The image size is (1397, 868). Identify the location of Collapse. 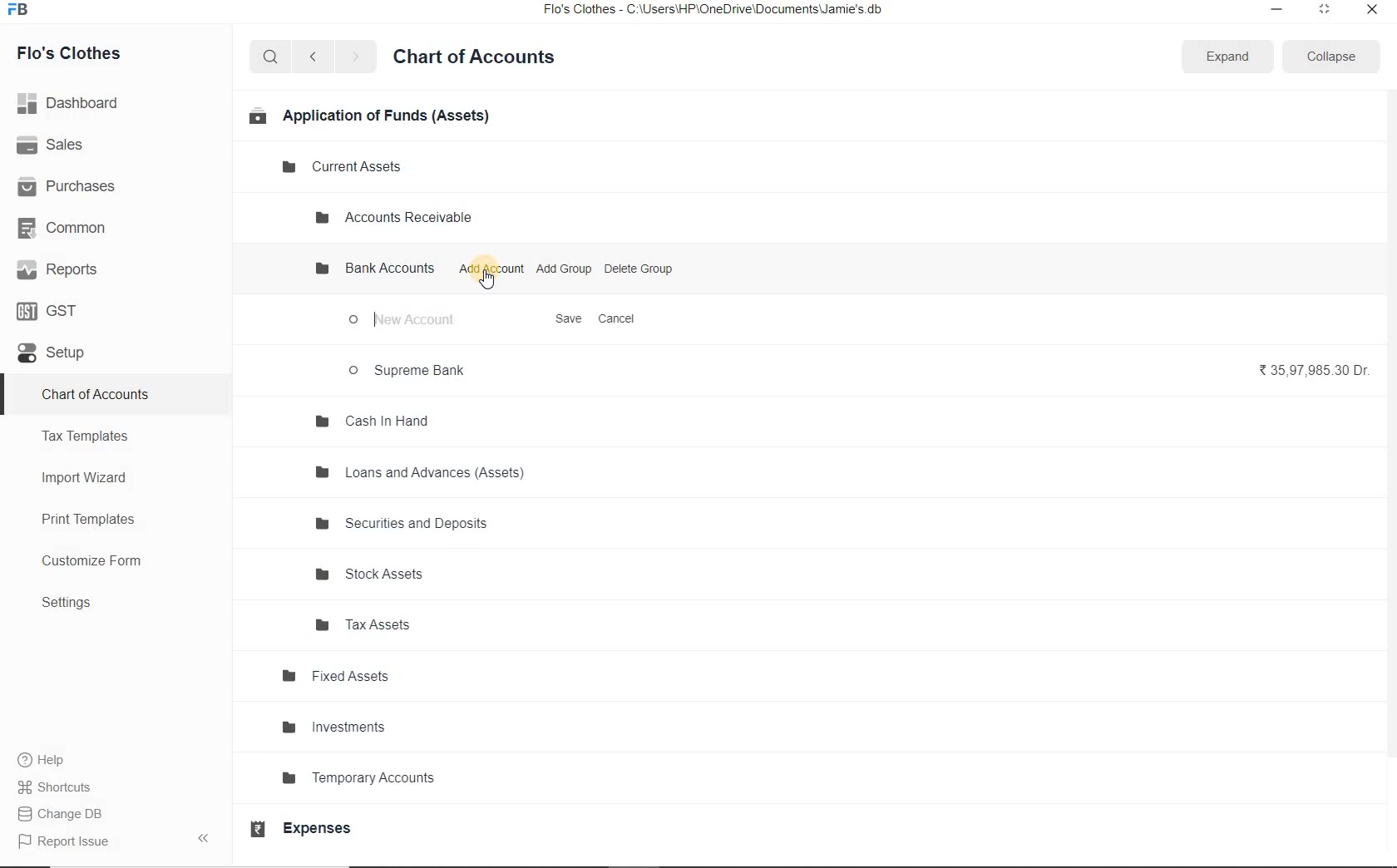
(1330, 56).